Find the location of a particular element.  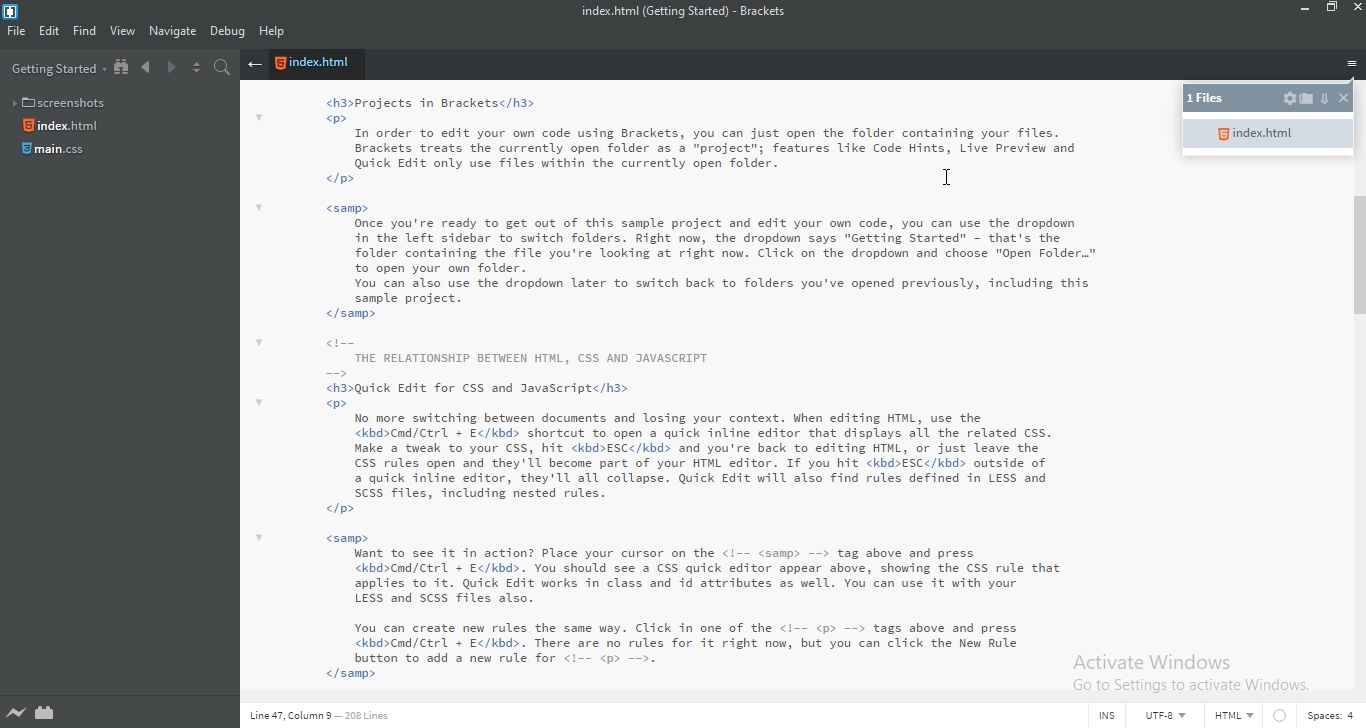

Previous document is located at coordinates (148, 68).